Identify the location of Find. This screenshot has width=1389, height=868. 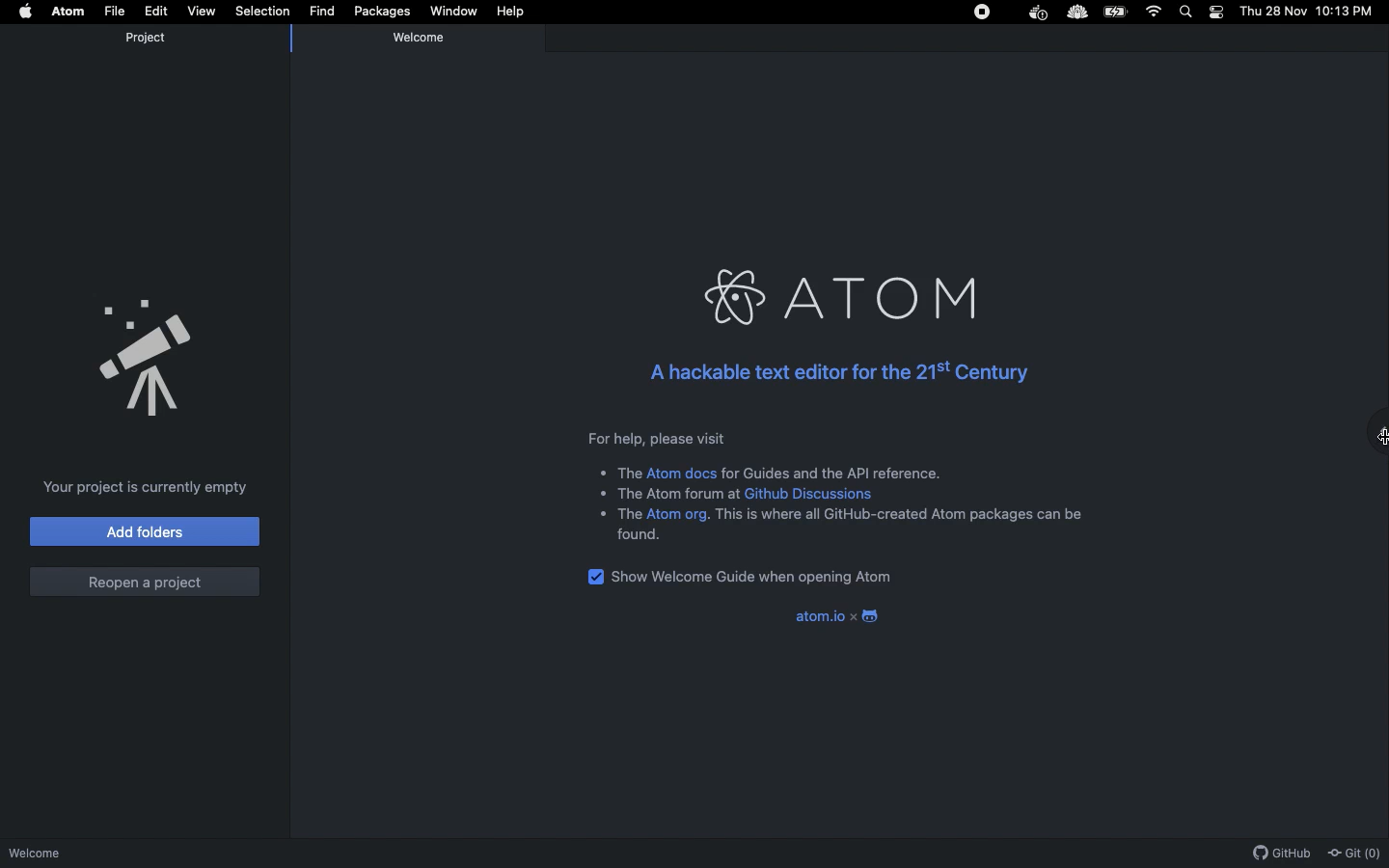
(322, 12).